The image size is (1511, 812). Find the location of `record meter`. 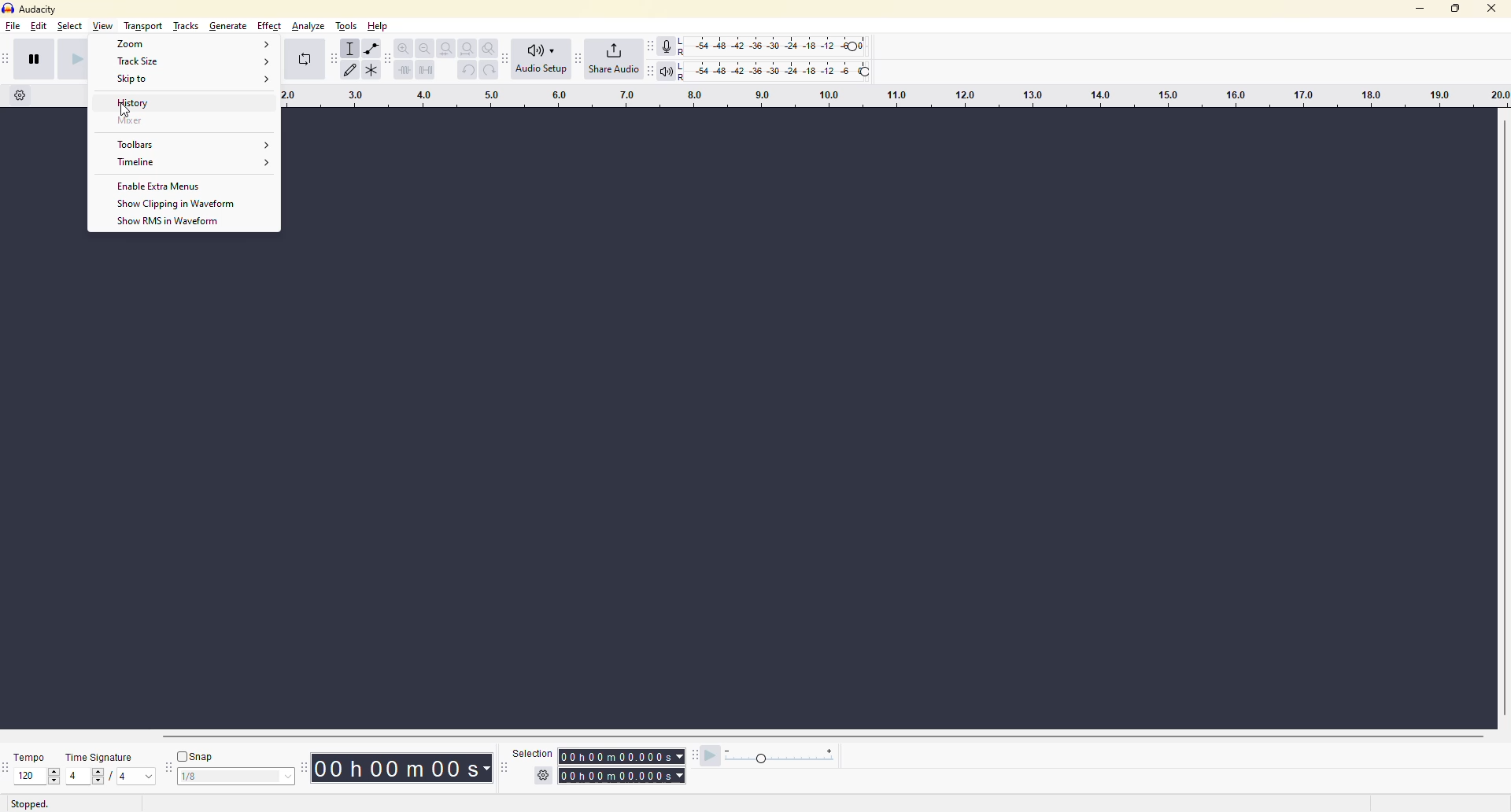

record meter is located at coordinates (671, 45).